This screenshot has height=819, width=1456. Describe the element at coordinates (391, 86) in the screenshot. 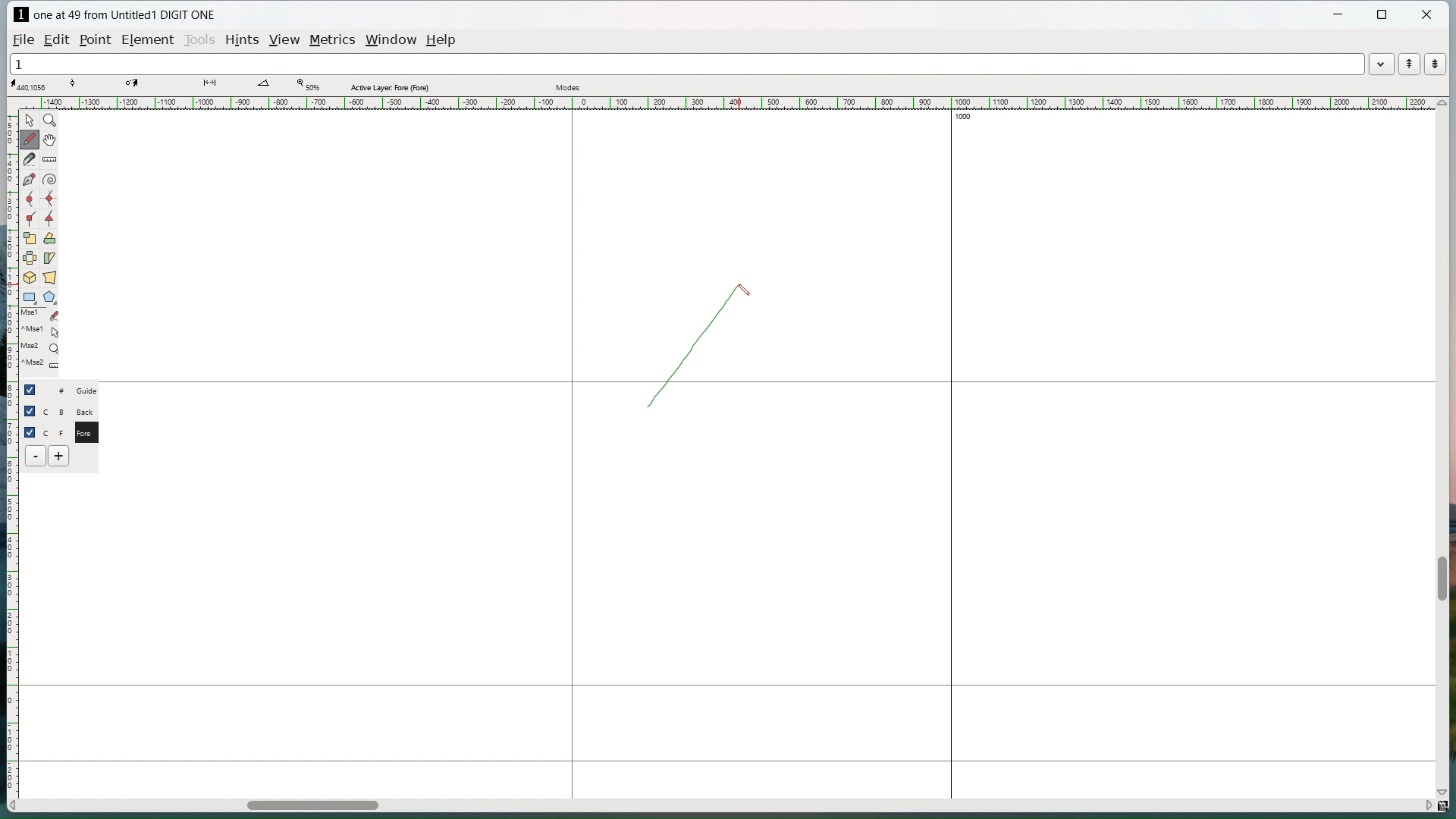

I see `Active layer fore` at that location.